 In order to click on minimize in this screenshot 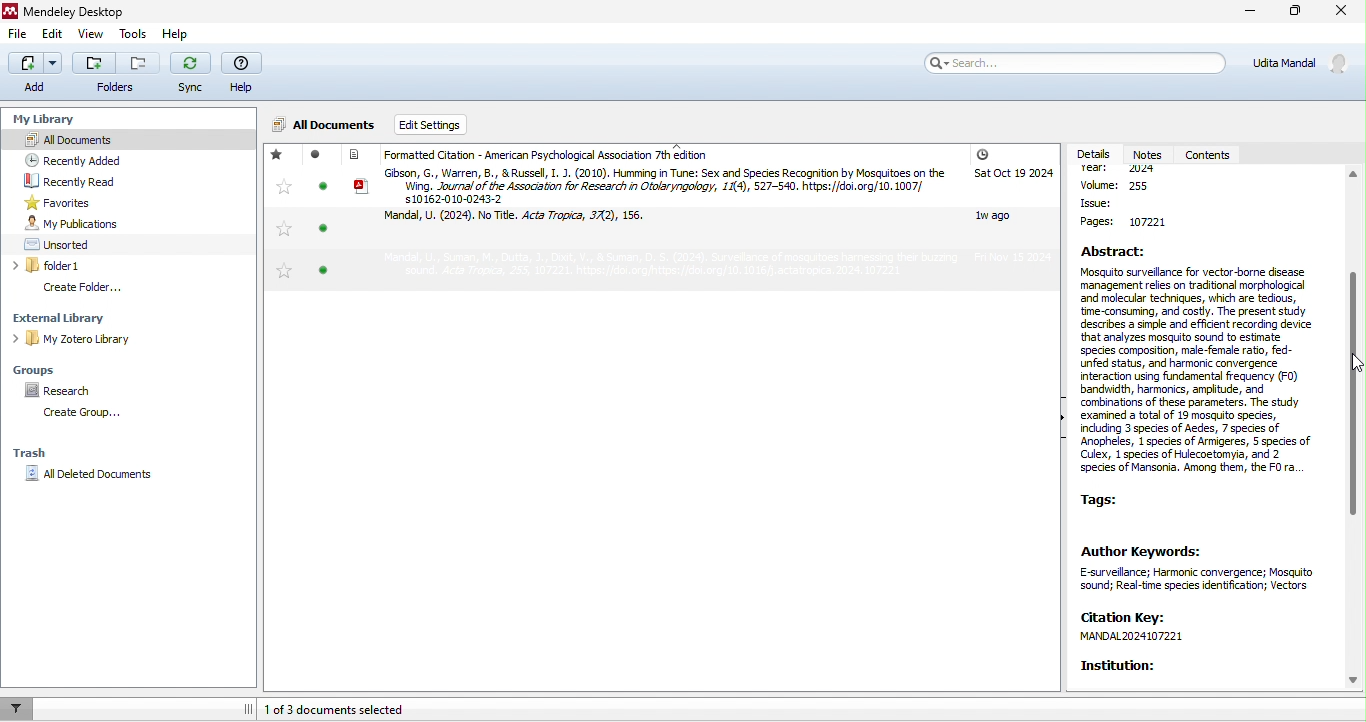, I will do `click(1247, 13)`.